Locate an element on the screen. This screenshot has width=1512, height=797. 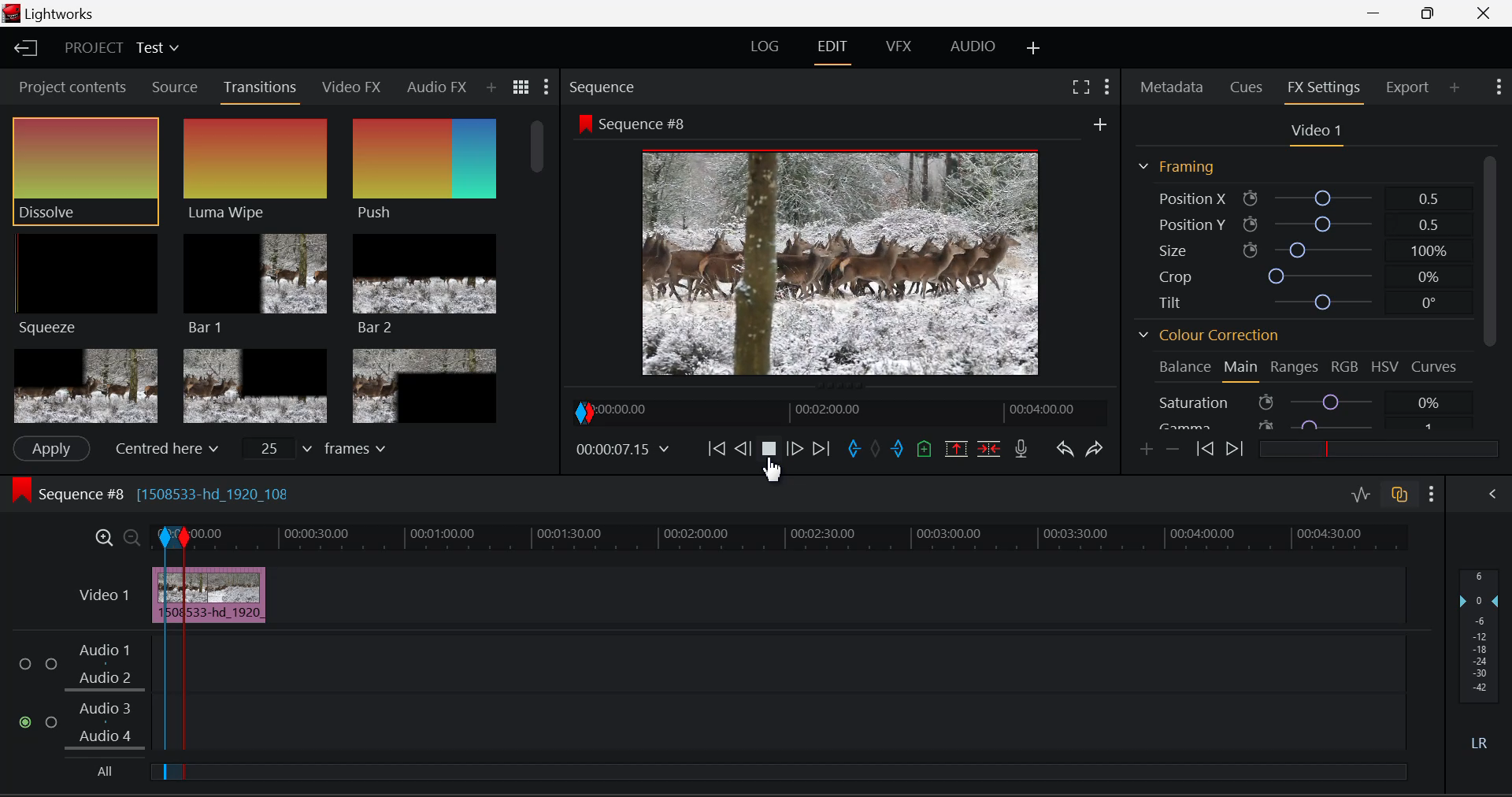
Project contents is located at coordinates (70, 86).